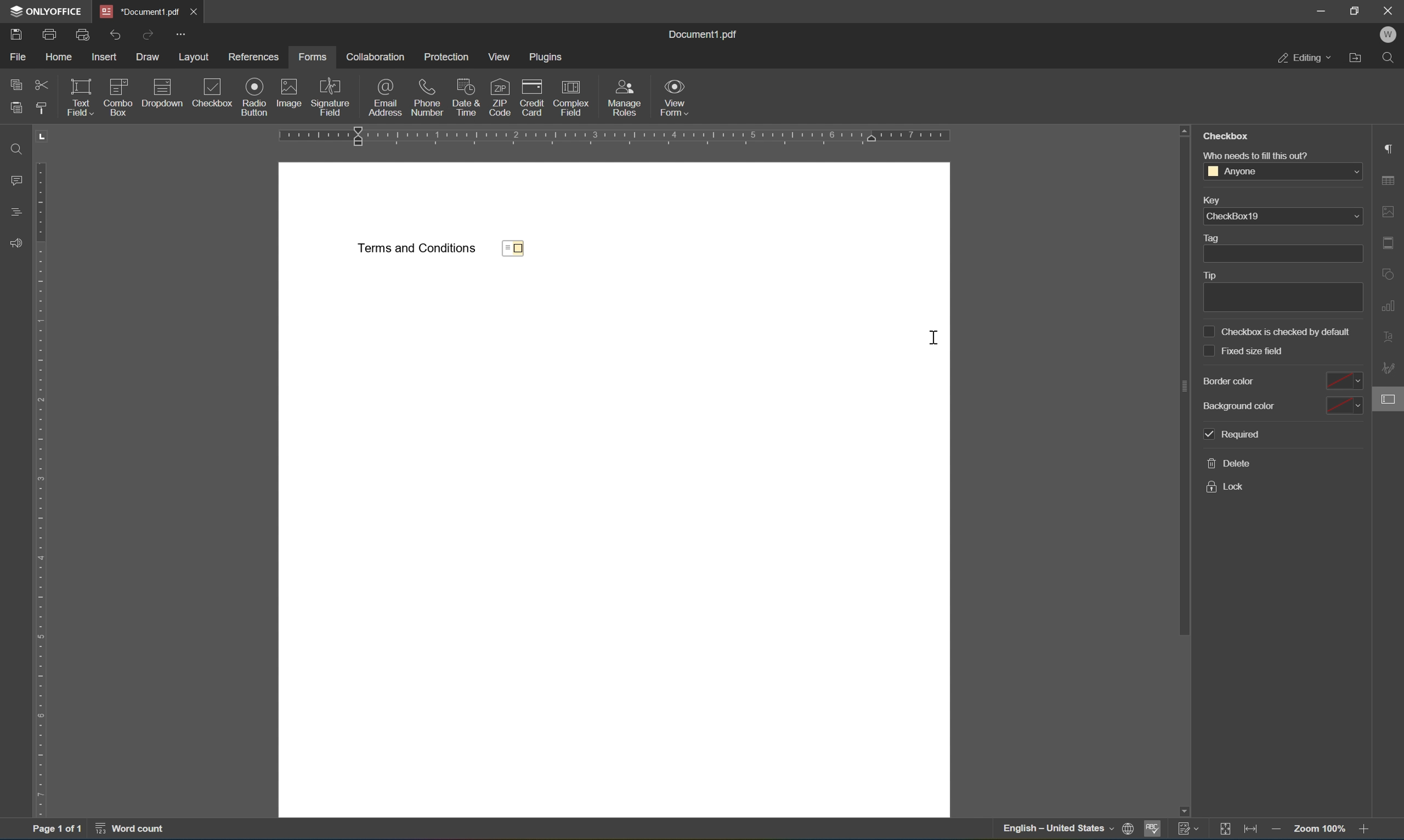  Describe the element at coordinates (1317, 8) in the screenshot. I see `minimize` at that location.